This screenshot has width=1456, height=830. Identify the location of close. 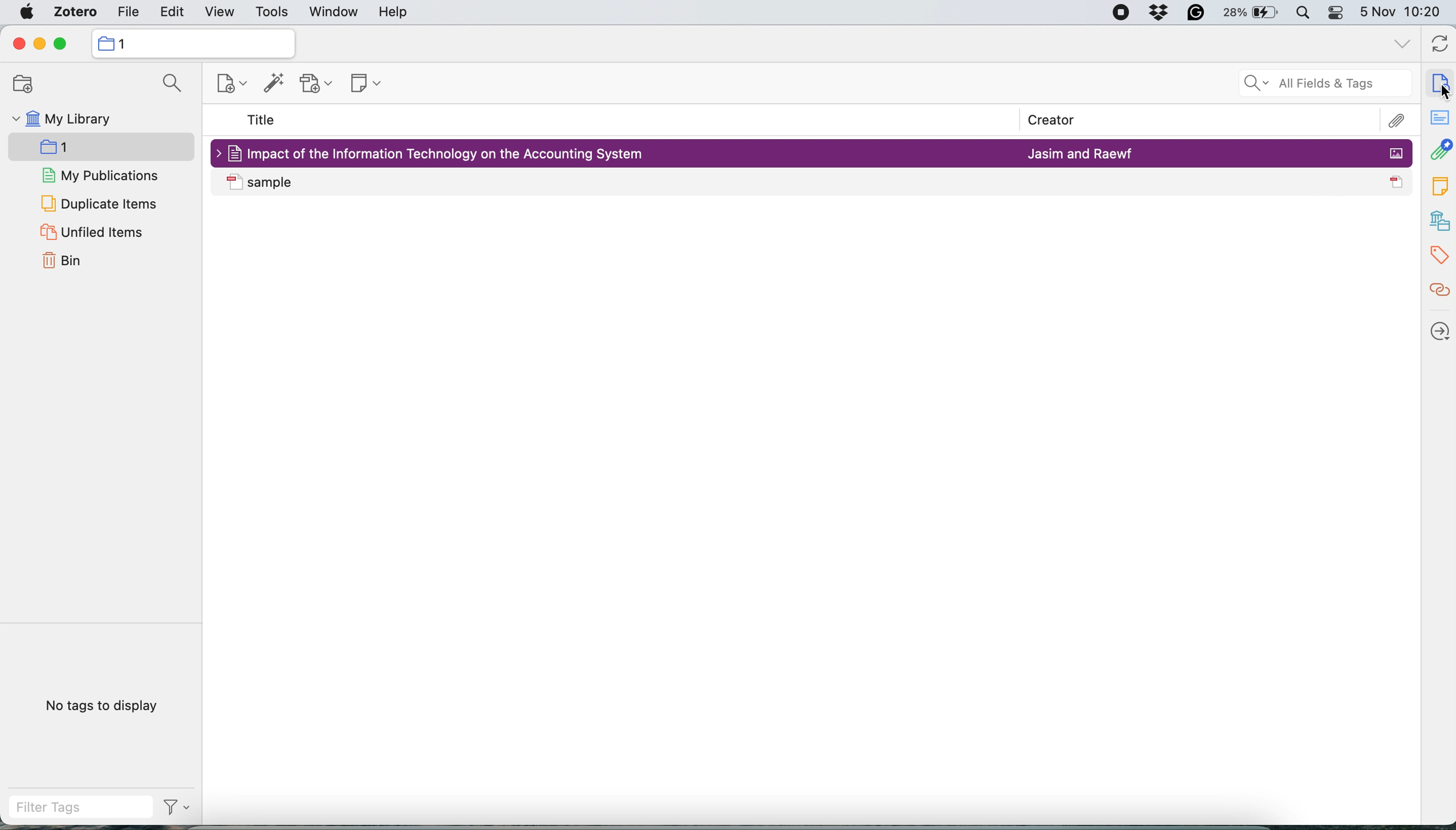
(19, 44).